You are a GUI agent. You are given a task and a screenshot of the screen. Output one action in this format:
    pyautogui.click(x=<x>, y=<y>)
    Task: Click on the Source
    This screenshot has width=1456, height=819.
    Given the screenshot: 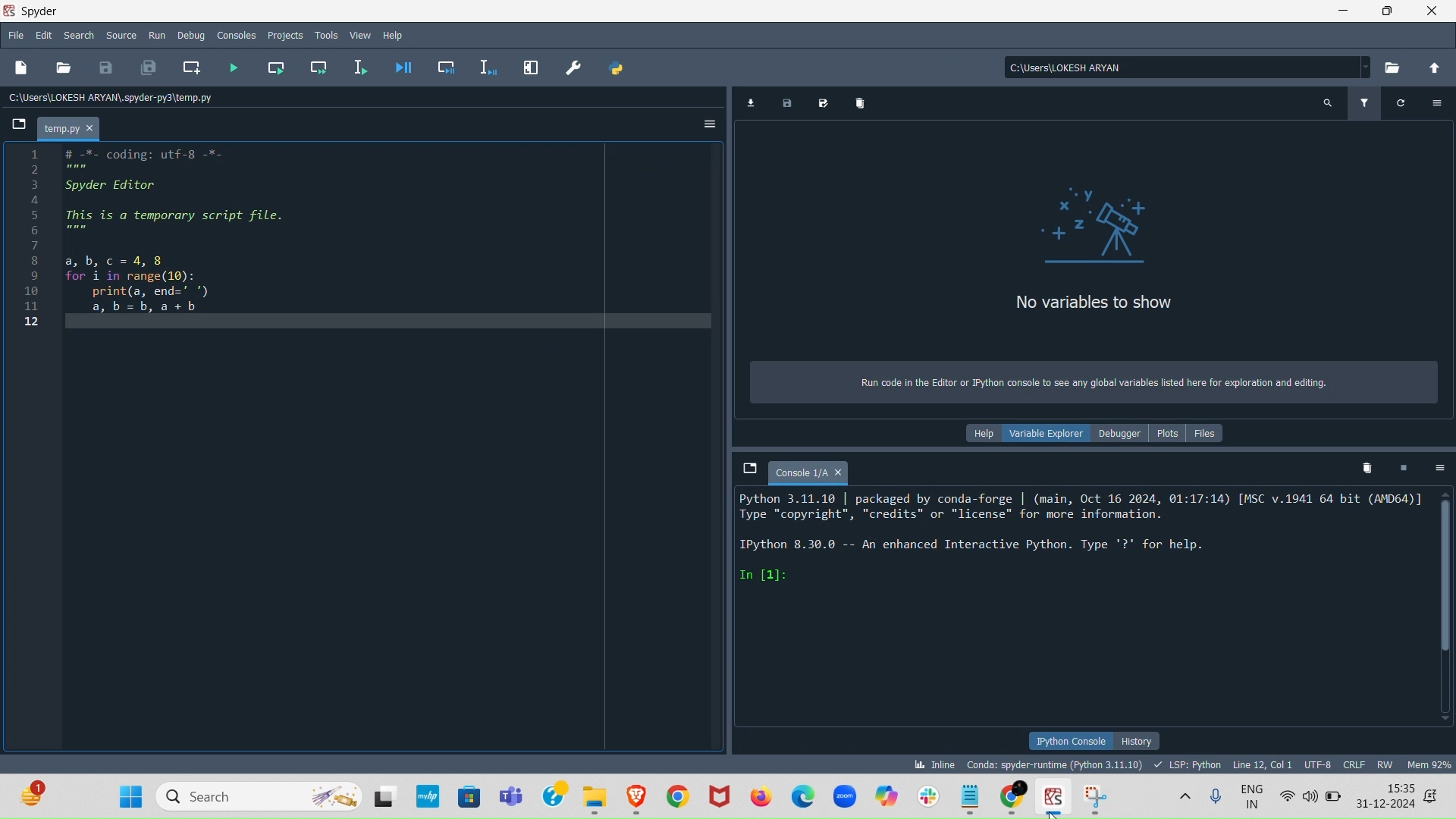 What is the action you would take?
    pyautogui.click(x=120, y=33)
    